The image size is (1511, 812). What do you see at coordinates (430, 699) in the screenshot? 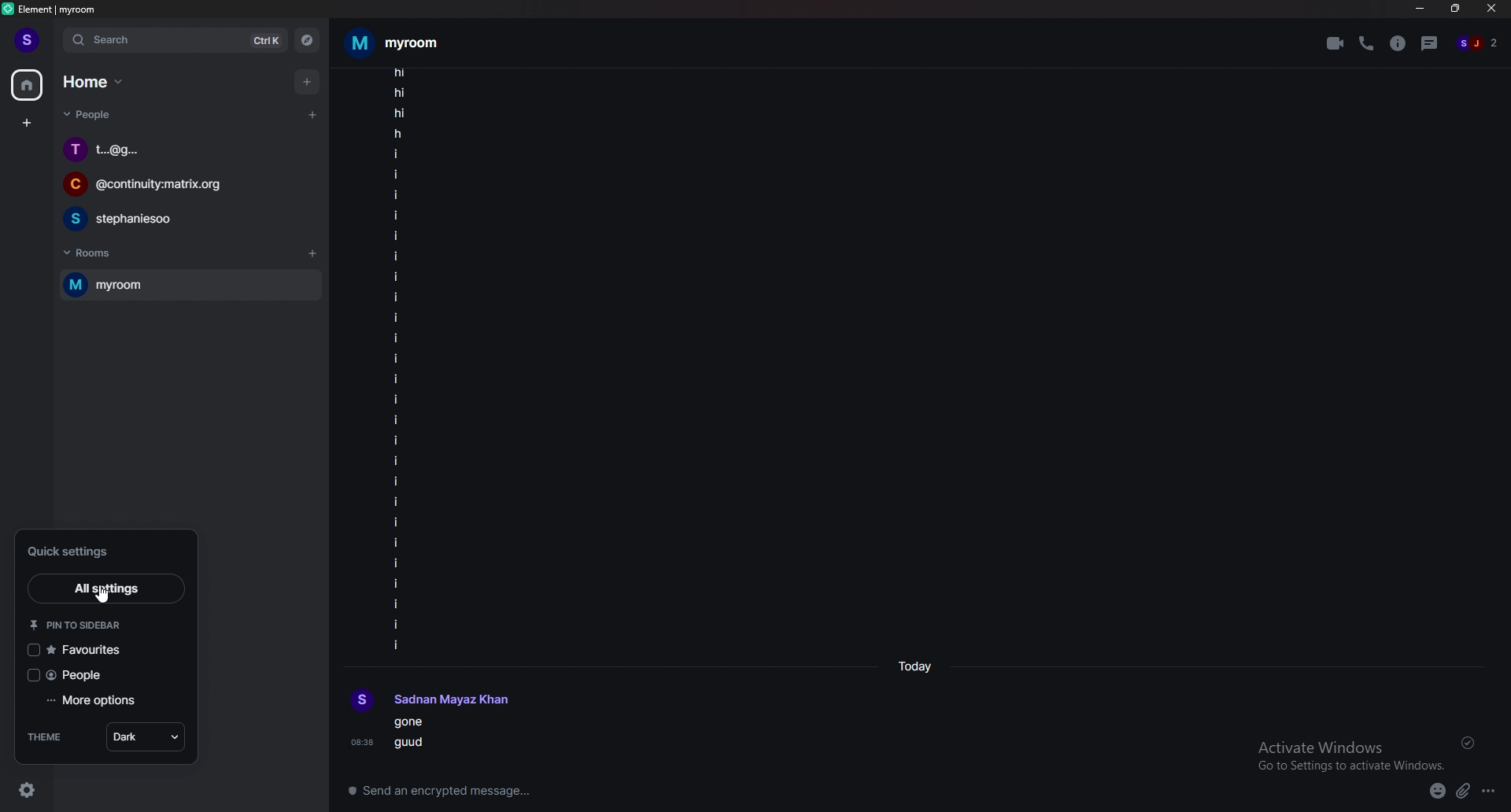
I see `profile` at bounding box center [430, 699].